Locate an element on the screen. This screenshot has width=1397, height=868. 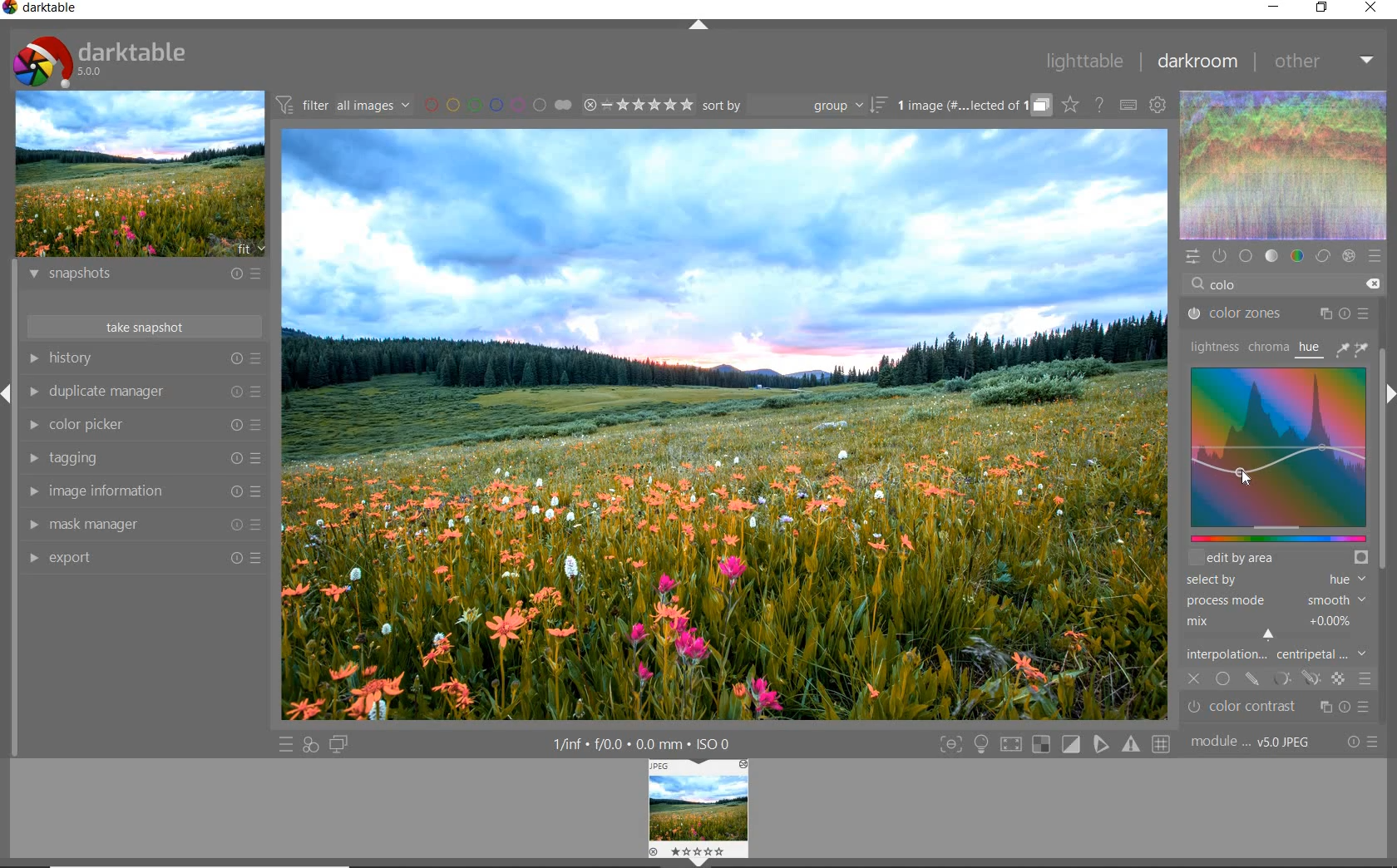
lighttable is located at coordinates (1084, 62).